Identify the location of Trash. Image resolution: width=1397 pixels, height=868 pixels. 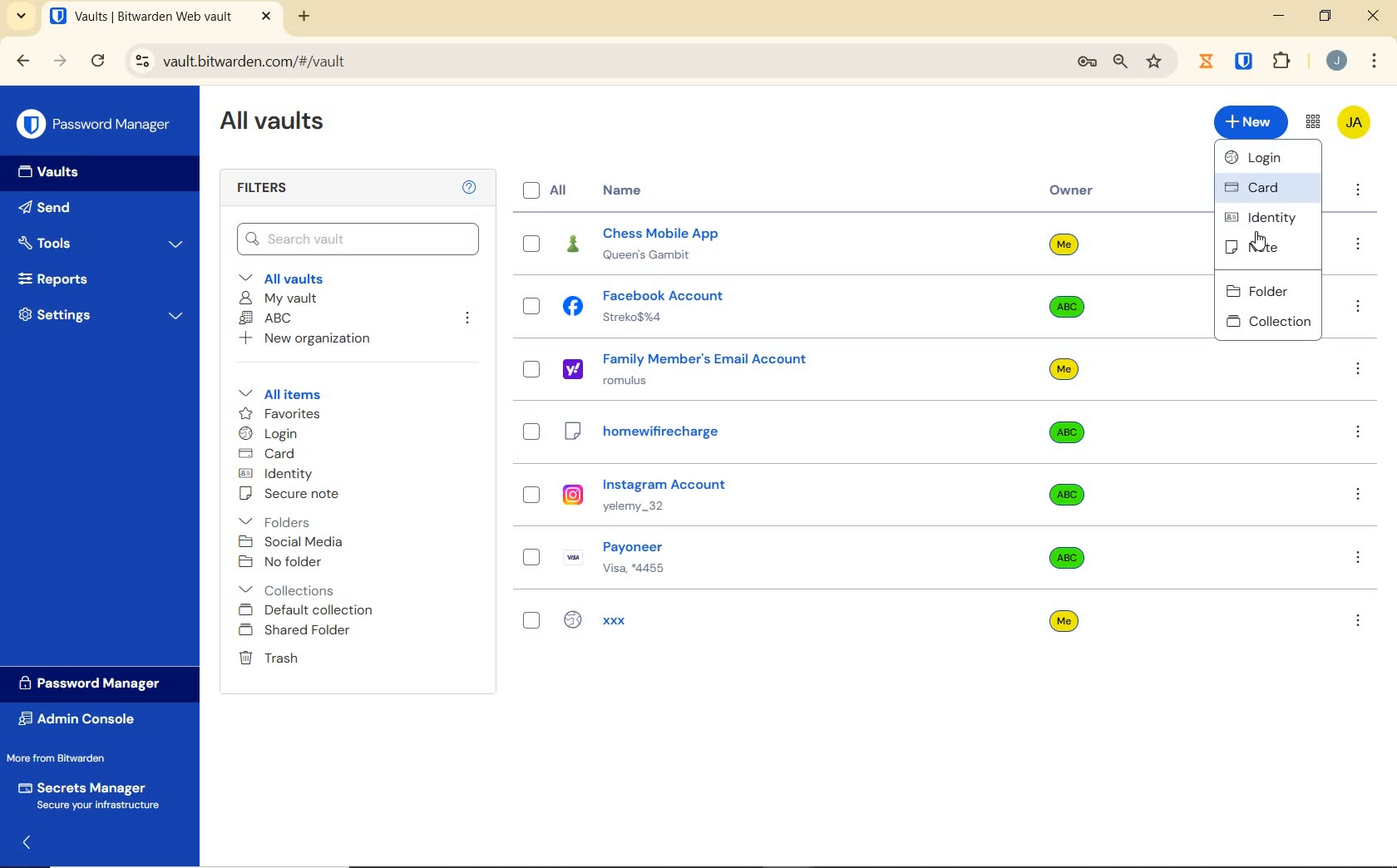
(271, 659).